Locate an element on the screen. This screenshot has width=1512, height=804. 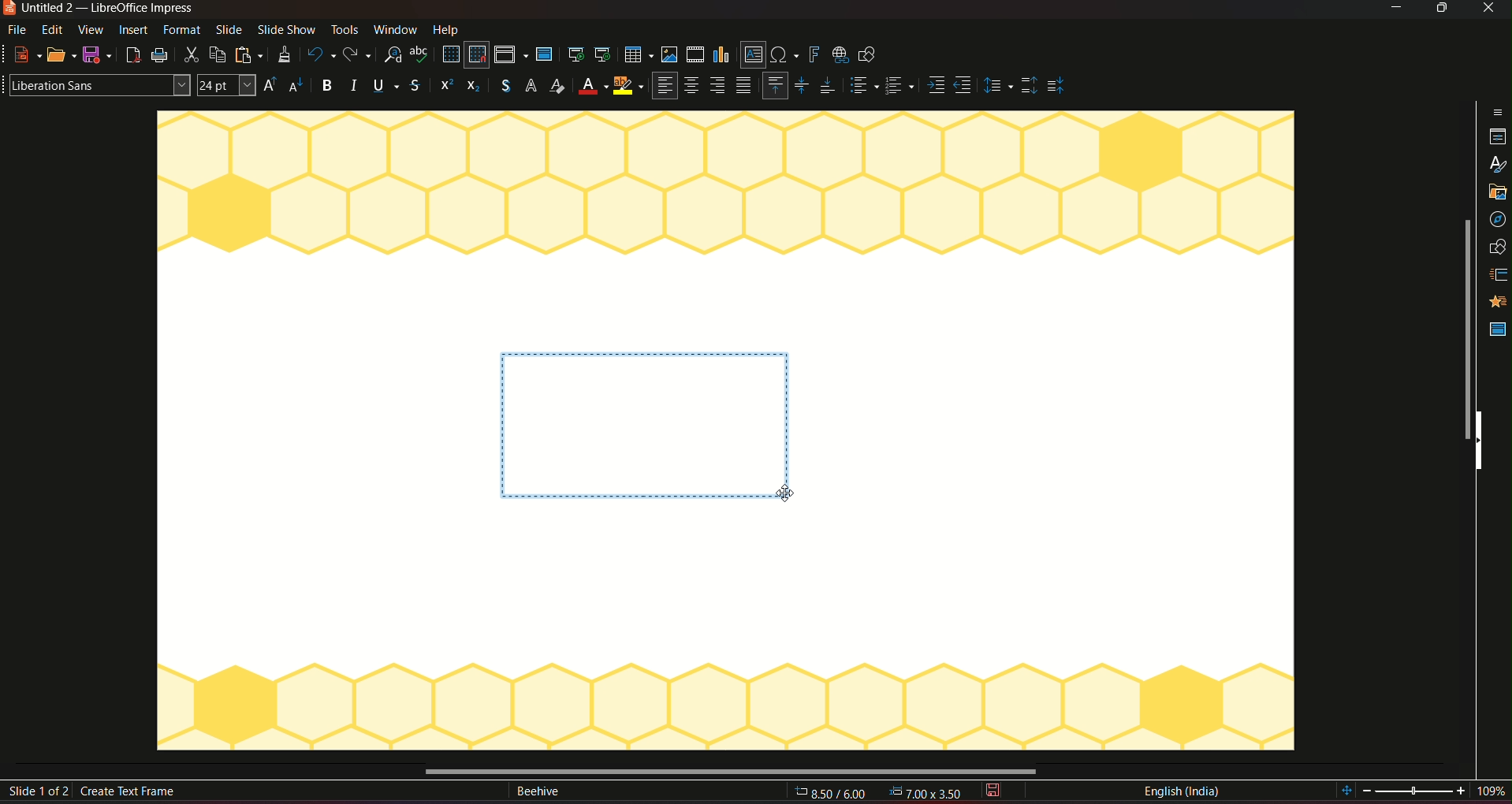
Align side 2 is located at coordinates (964, 87).